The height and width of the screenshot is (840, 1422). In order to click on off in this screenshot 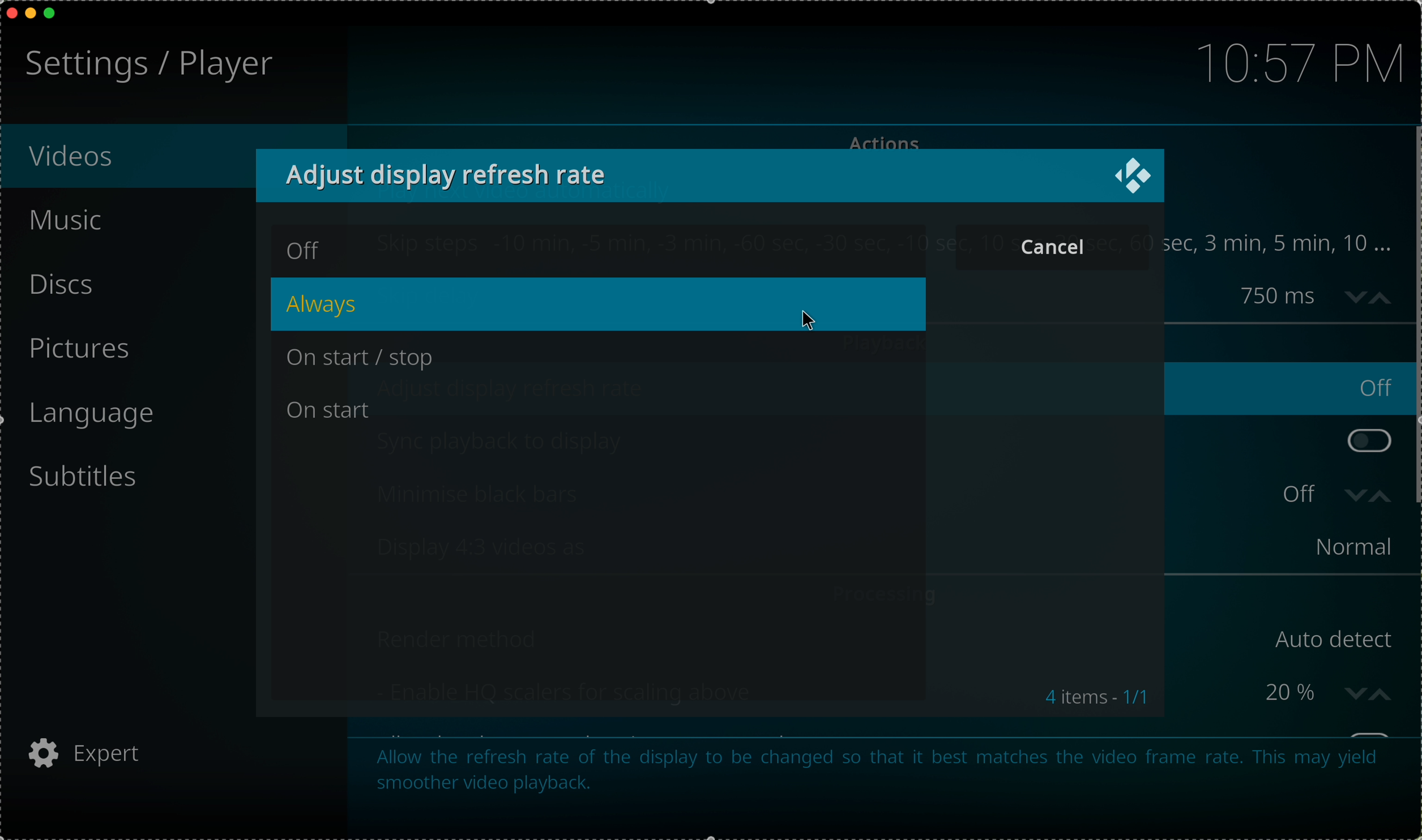, I will do `click(1305, 494)`.